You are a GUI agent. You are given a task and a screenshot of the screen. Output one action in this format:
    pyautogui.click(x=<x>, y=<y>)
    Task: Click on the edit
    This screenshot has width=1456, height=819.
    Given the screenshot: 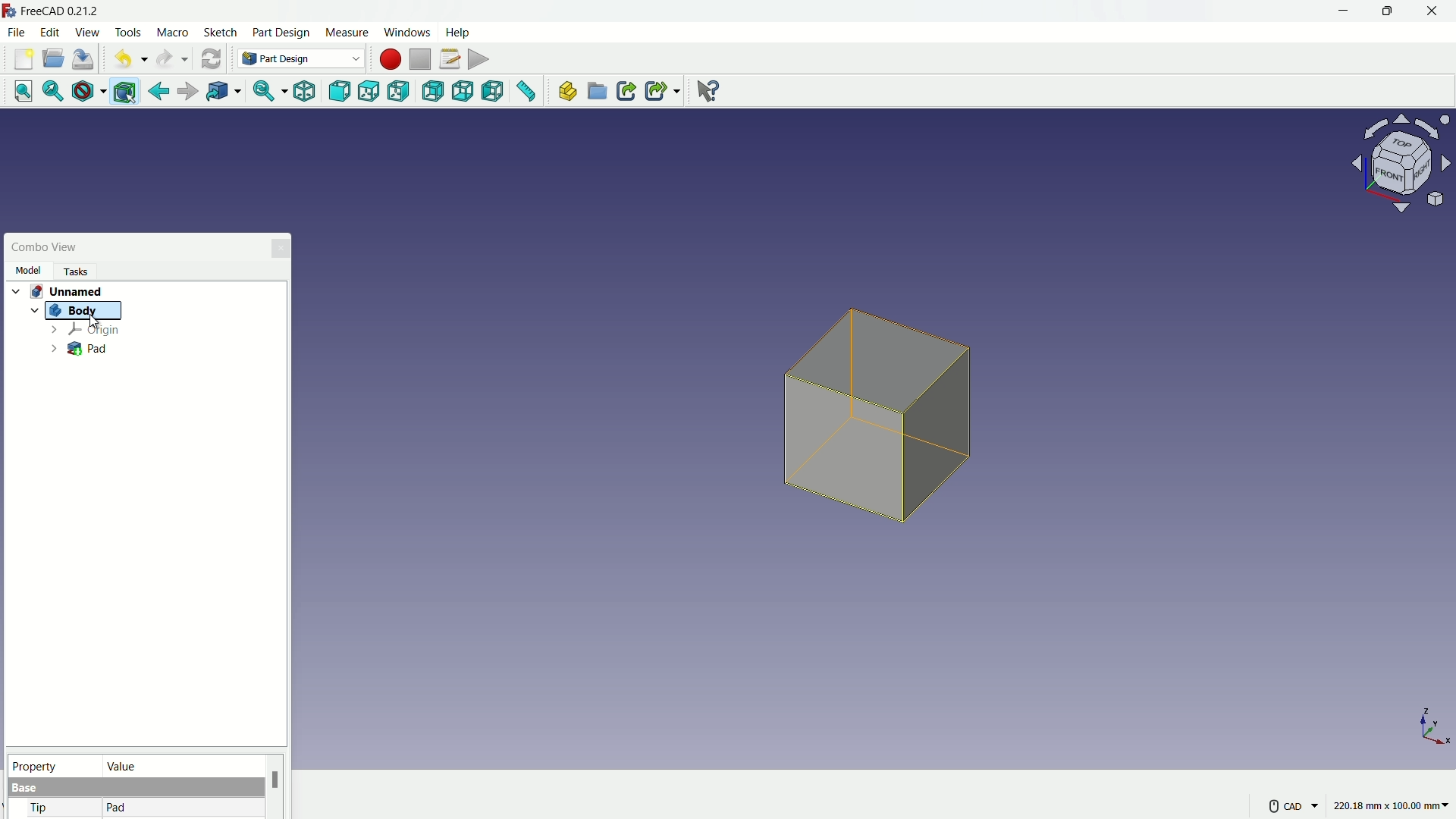 What is the action you would take?
    pyautogui.click(x=52, y=32)
    